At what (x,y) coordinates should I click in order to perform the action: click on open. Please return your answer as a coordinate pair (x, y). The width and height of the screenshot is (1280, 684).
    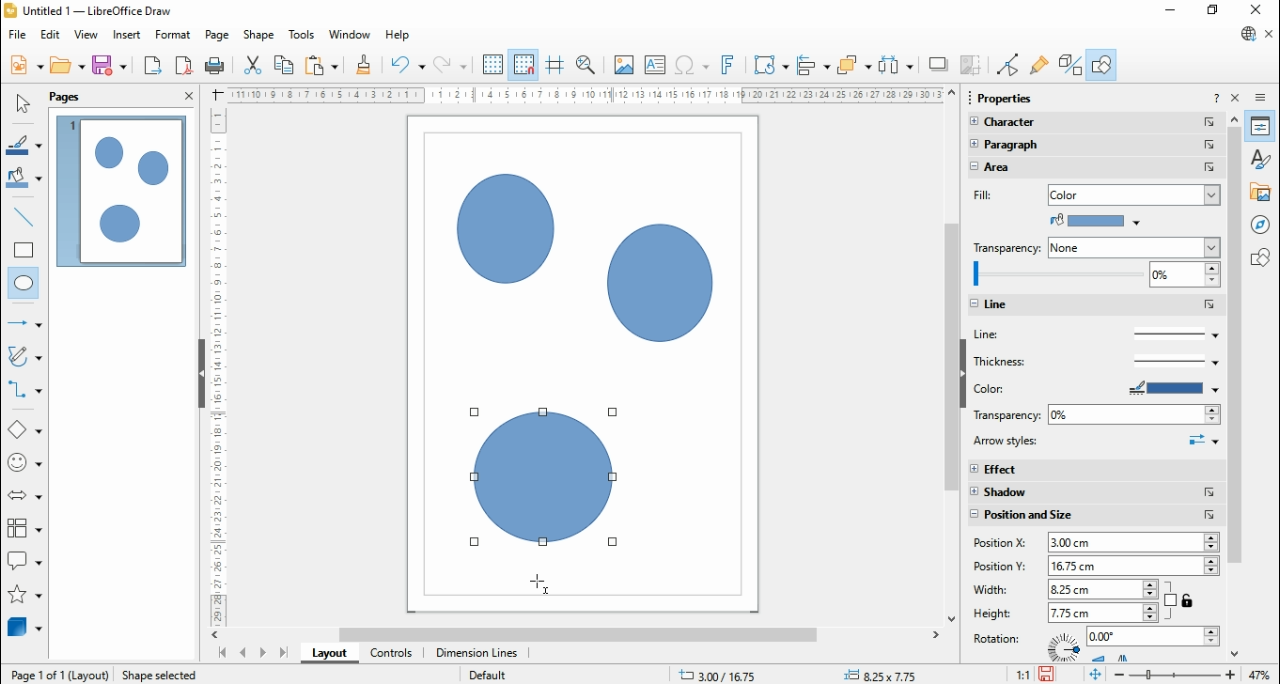
    Looking at the image, I should click on (67, 65).